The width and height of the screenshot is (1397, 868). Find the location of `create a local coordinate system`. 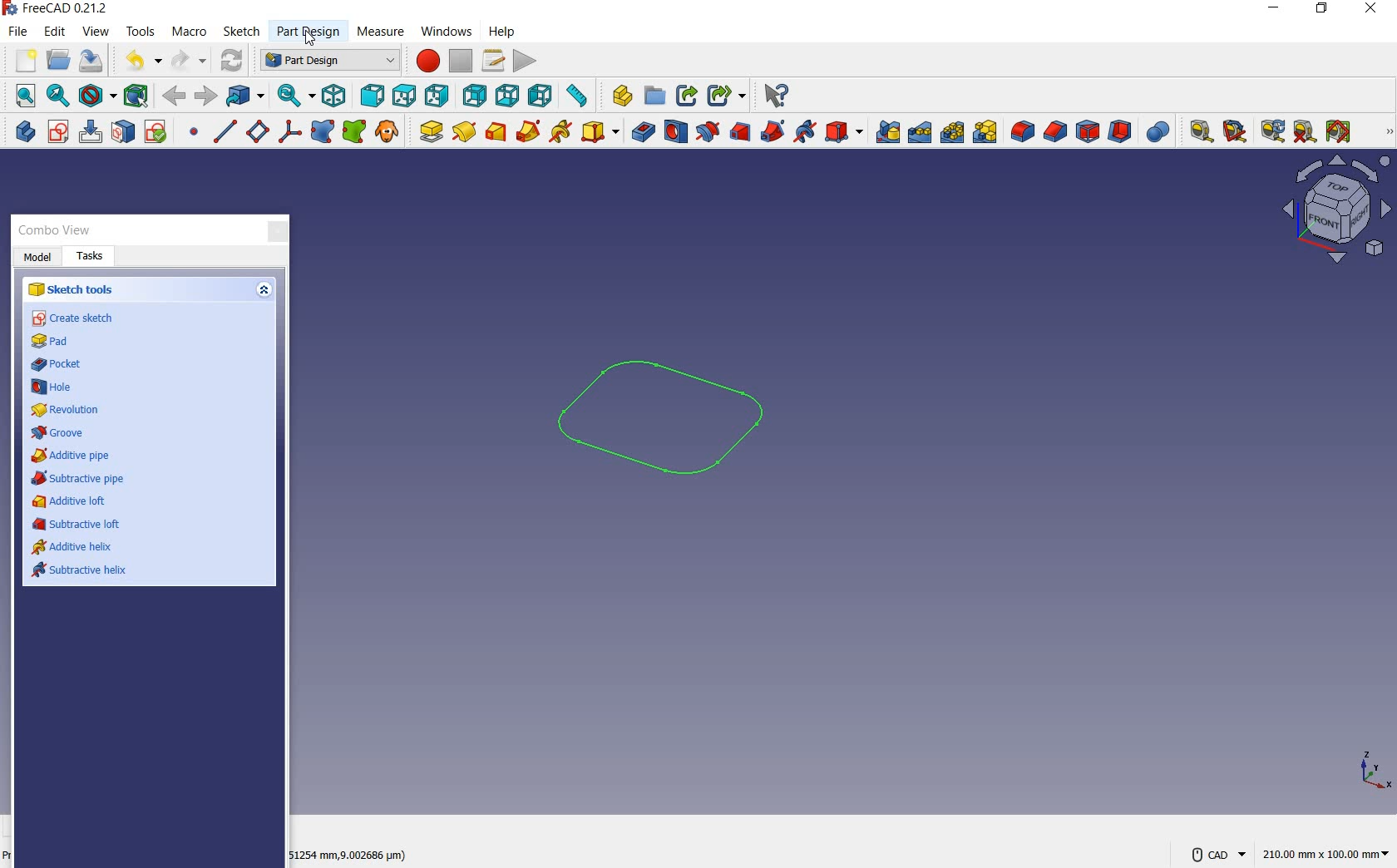

create a local coordinate system is located at coordinates (290, 133).